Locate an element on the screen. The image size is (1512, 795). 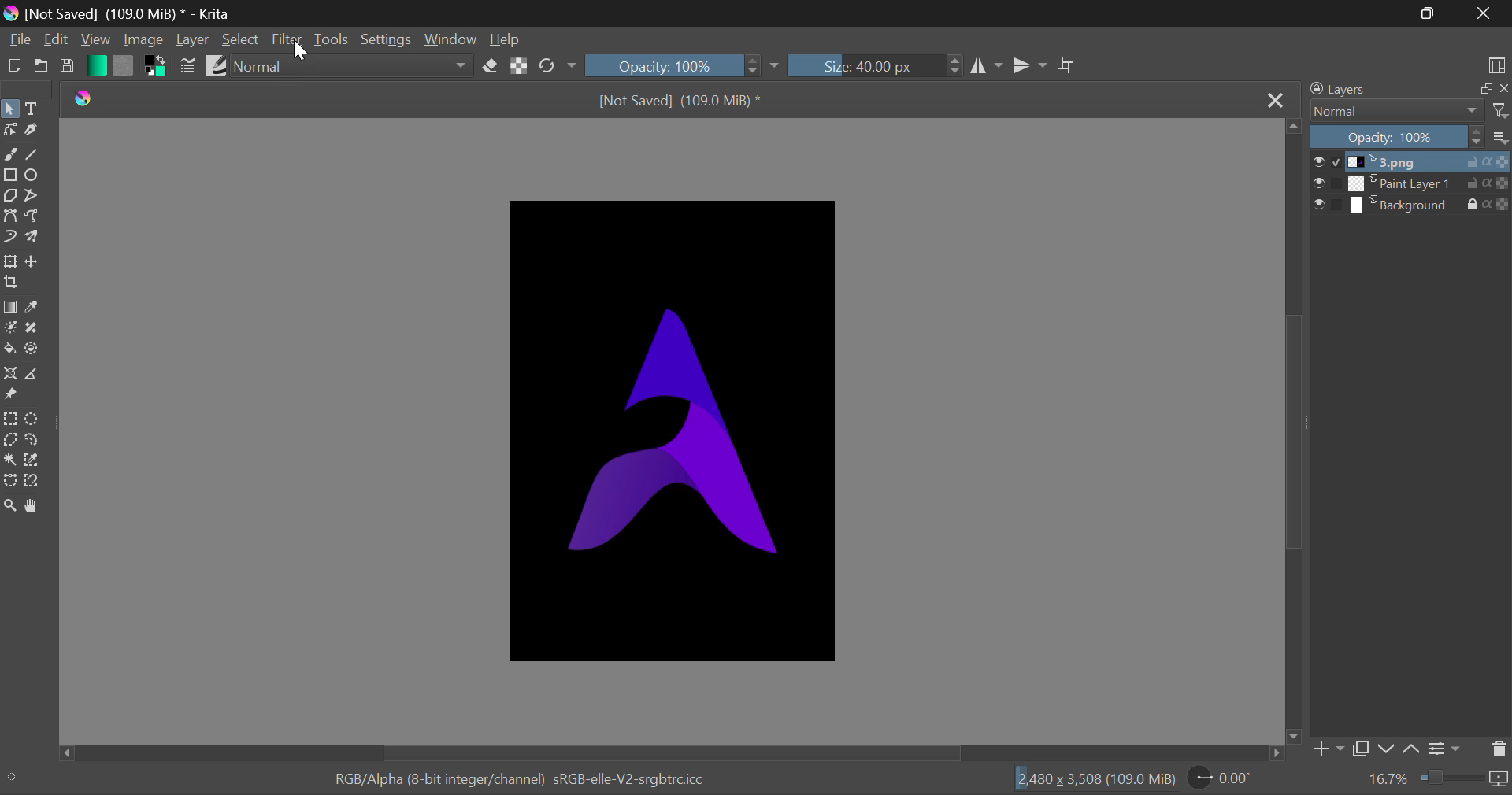
Select is located at coordinates (10, 108).